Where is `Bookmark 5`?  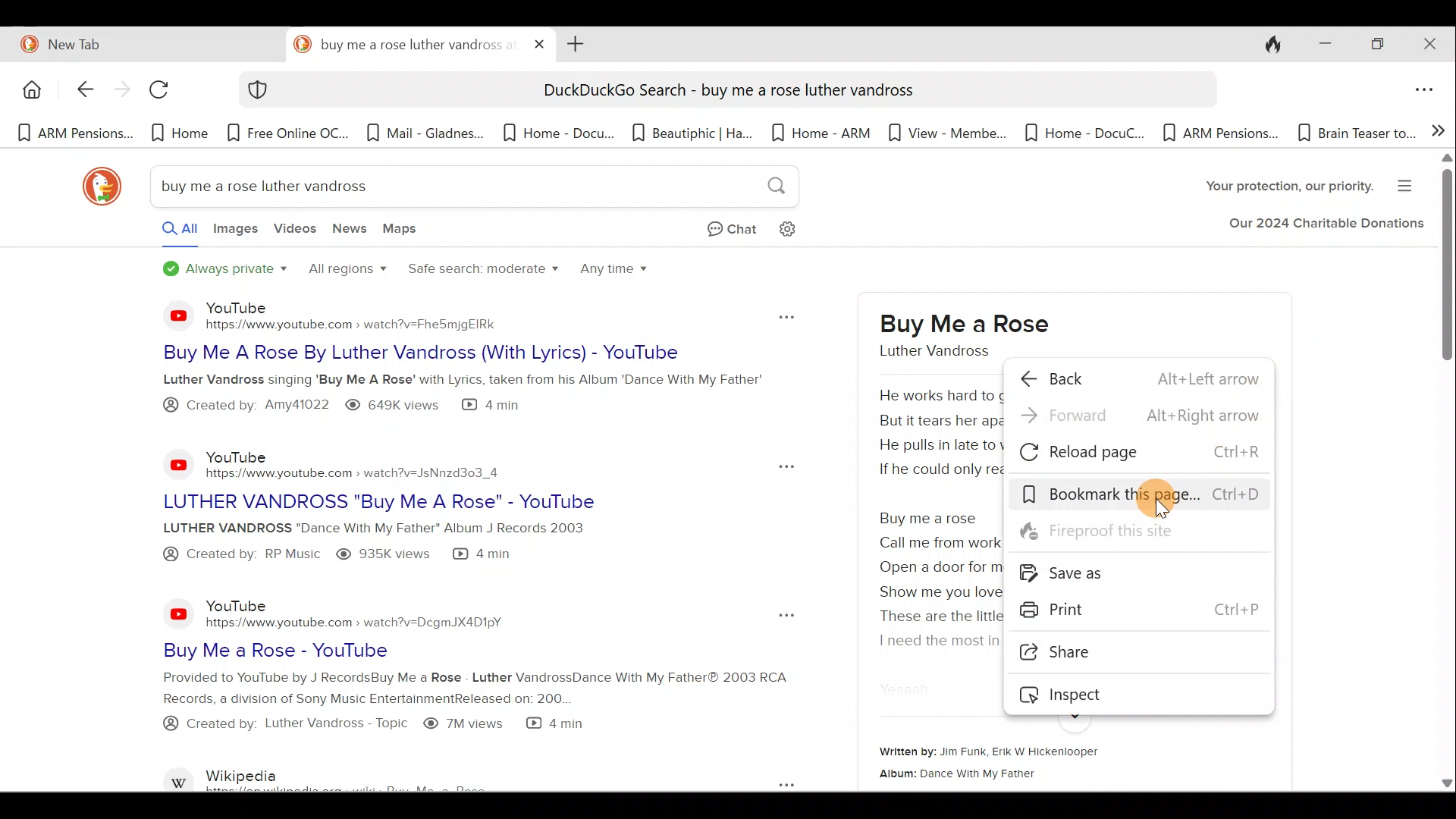
Bookmark 5 is located at coordinates (557, 132).